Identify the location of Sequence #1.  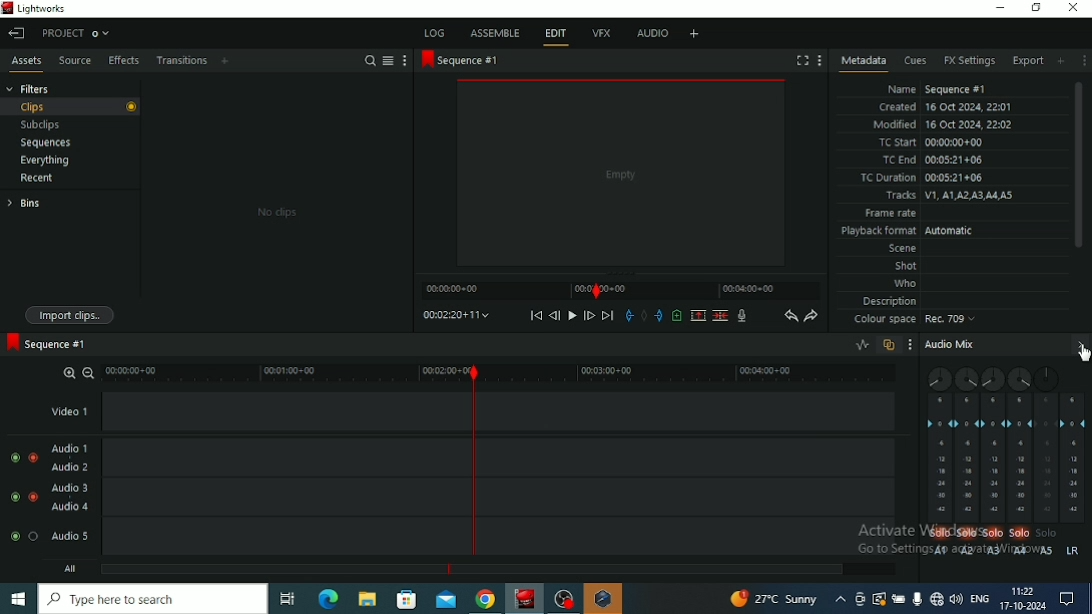
(47, 343).